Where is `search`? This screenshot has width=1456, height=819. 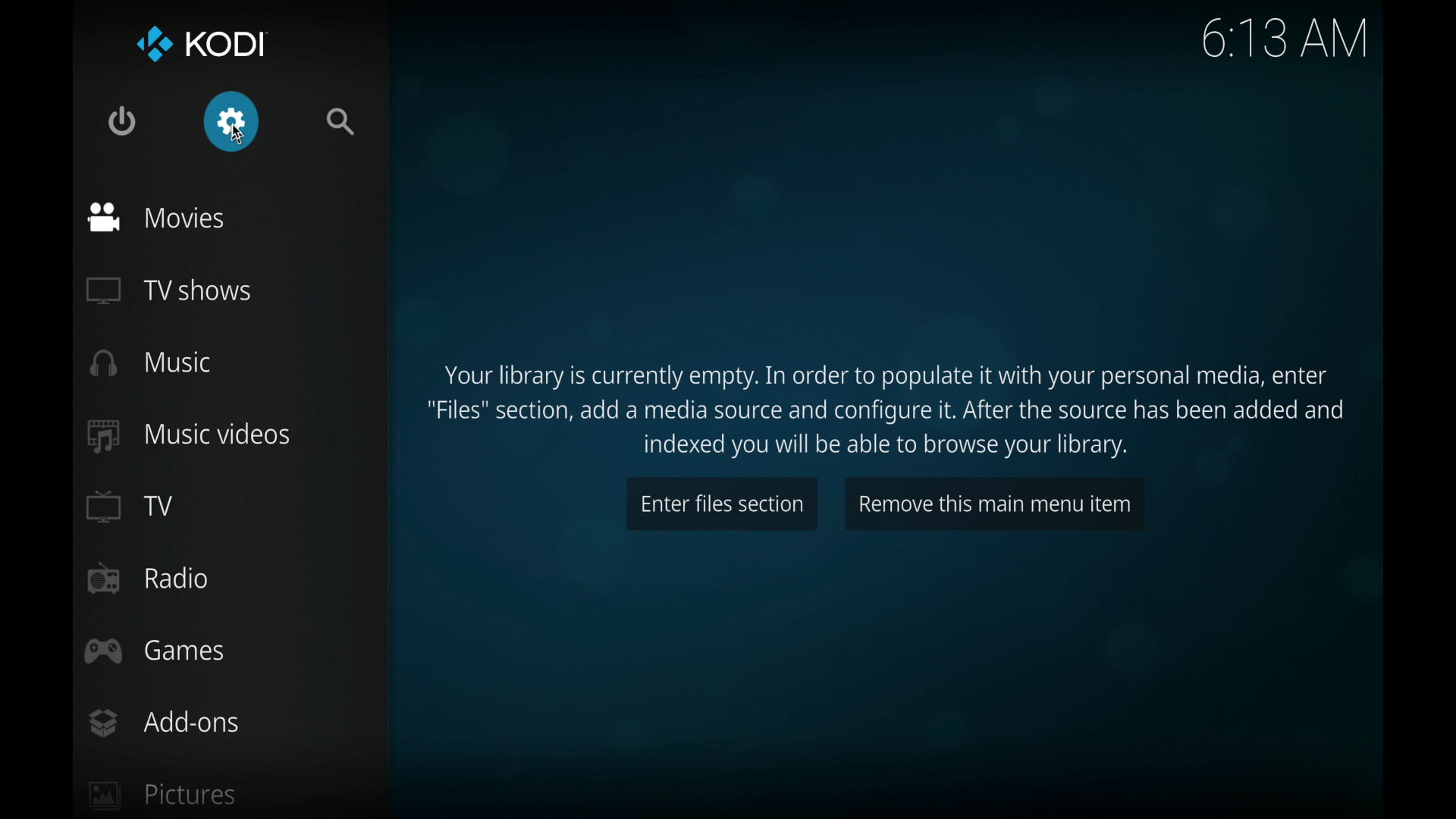 search is located at coordinates (340, 121).